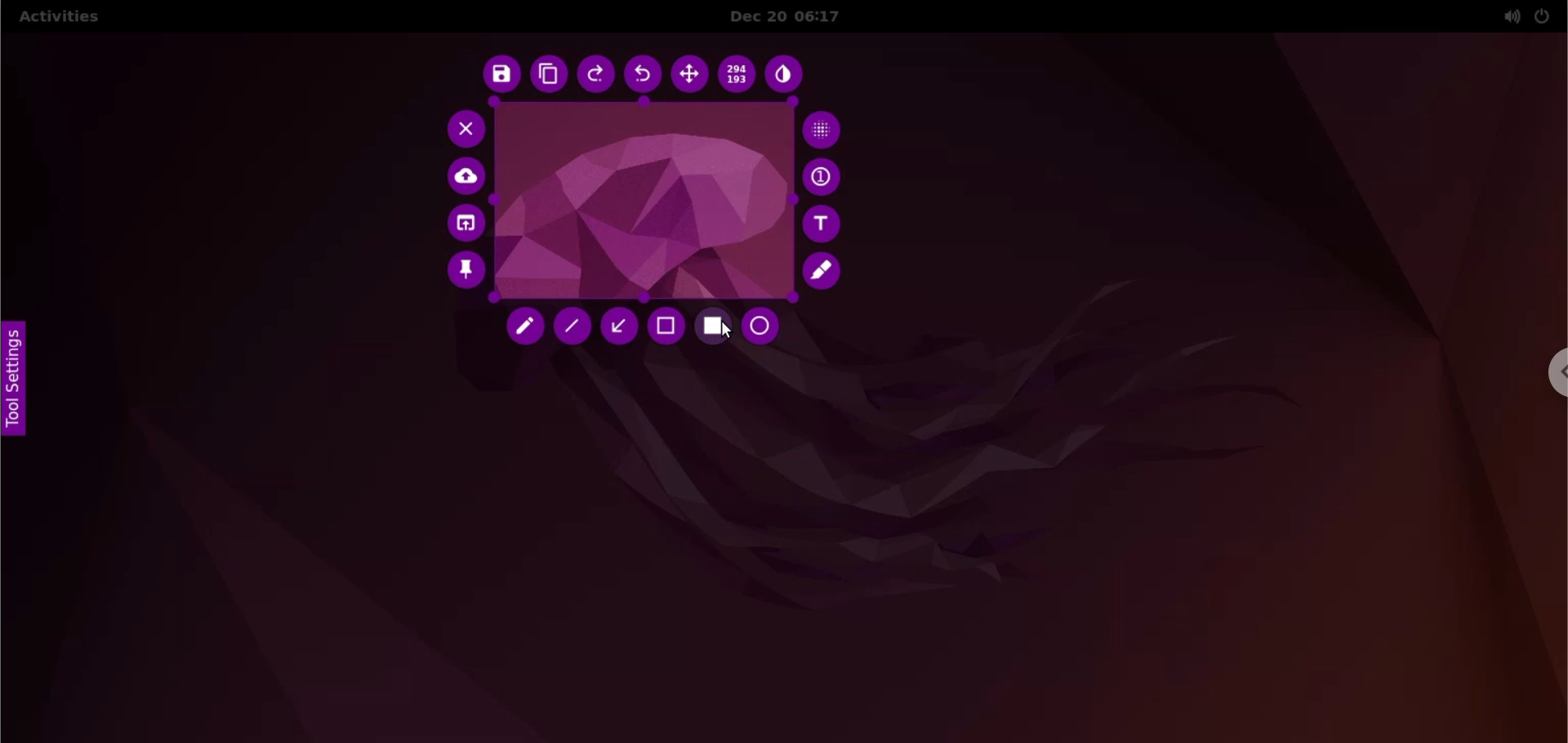 This screenshot has height=743, width=1568. Describe the element at coordinates (765, 327) in the screenshot. I see `circle tool` at that location.